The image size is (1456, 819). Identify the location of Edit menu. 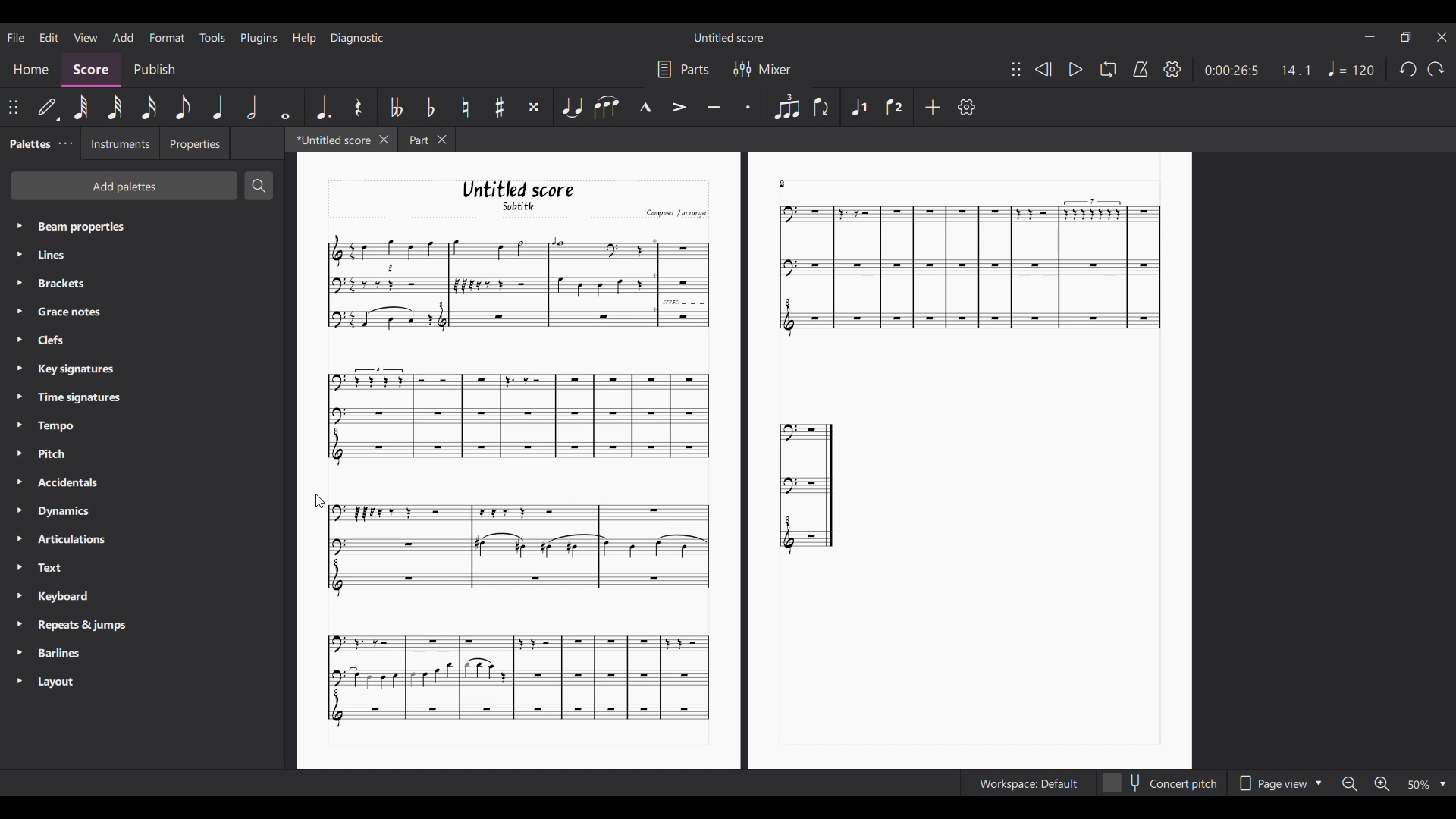
(49, 37).